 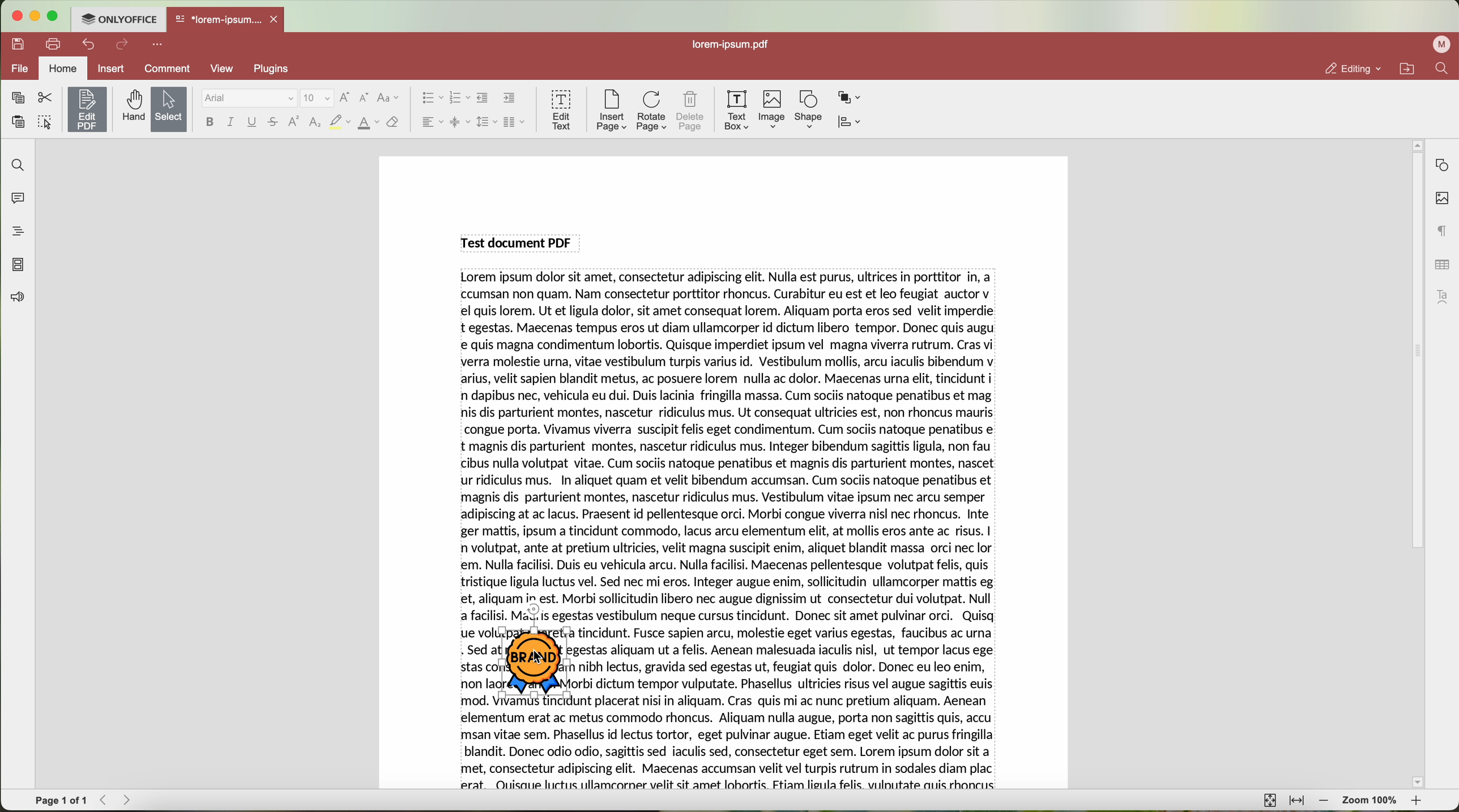 I want to click on feedback & support, so click(x=16, y=299).